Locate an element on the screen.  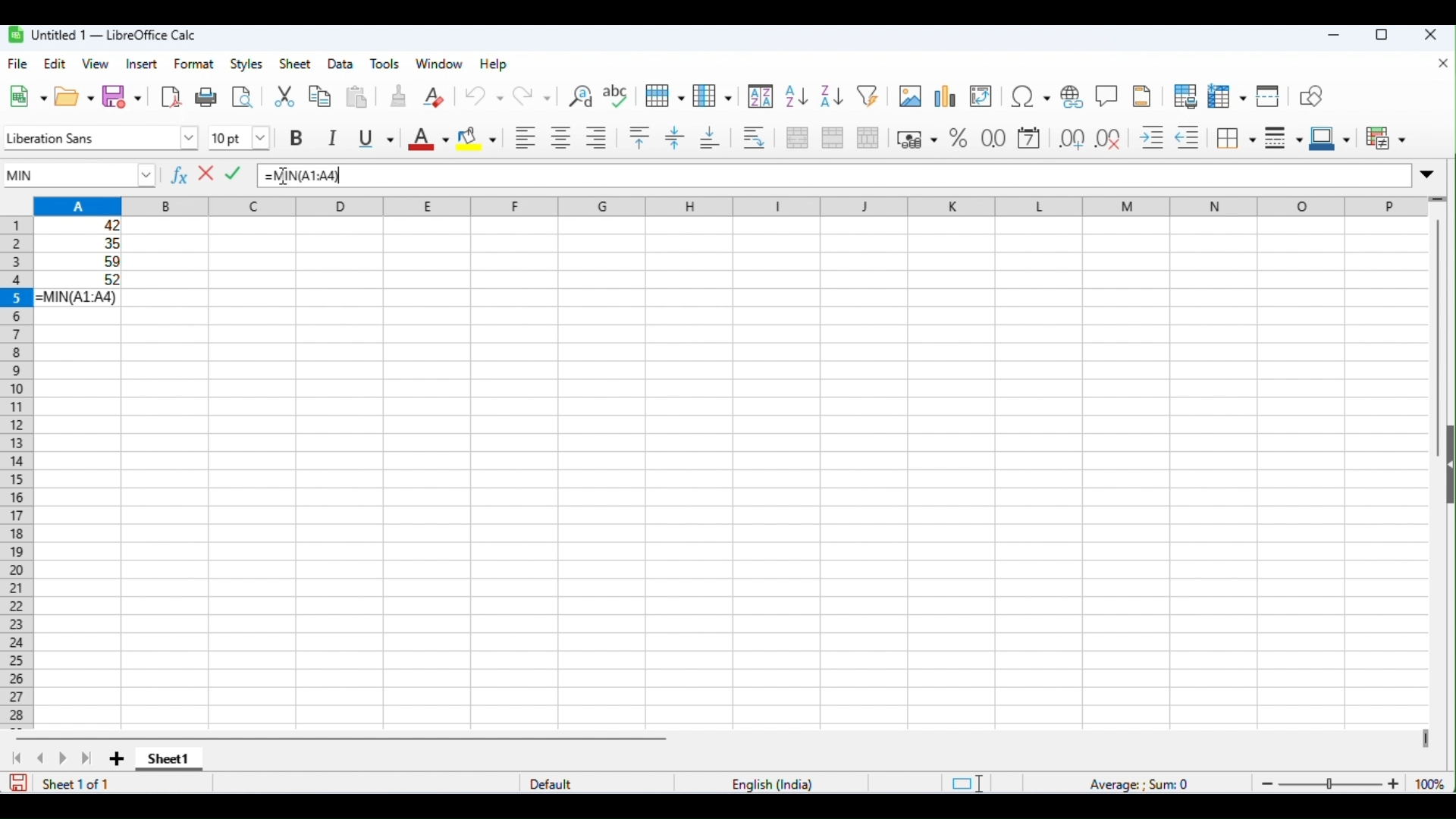
open or close side bar is located at coordinates (1447, 469).